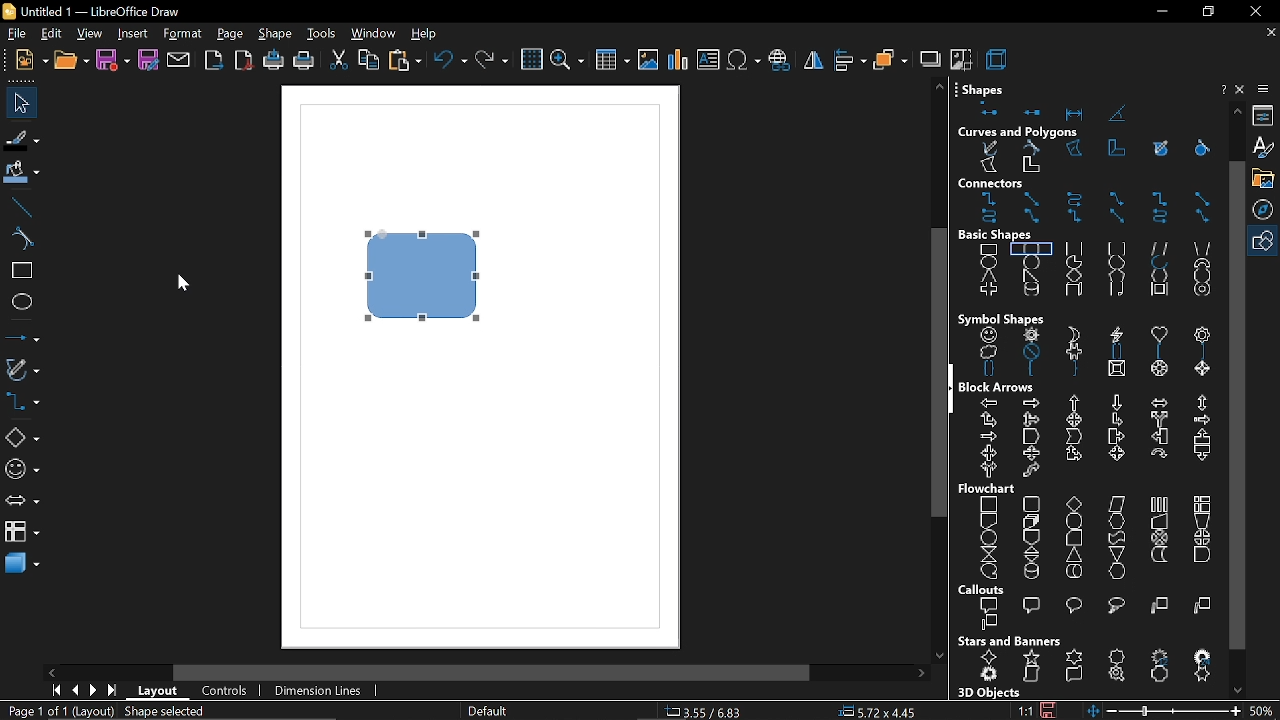 This screenshot has width=1280, height=720. I want to click on Cursor, so click(184, 280).